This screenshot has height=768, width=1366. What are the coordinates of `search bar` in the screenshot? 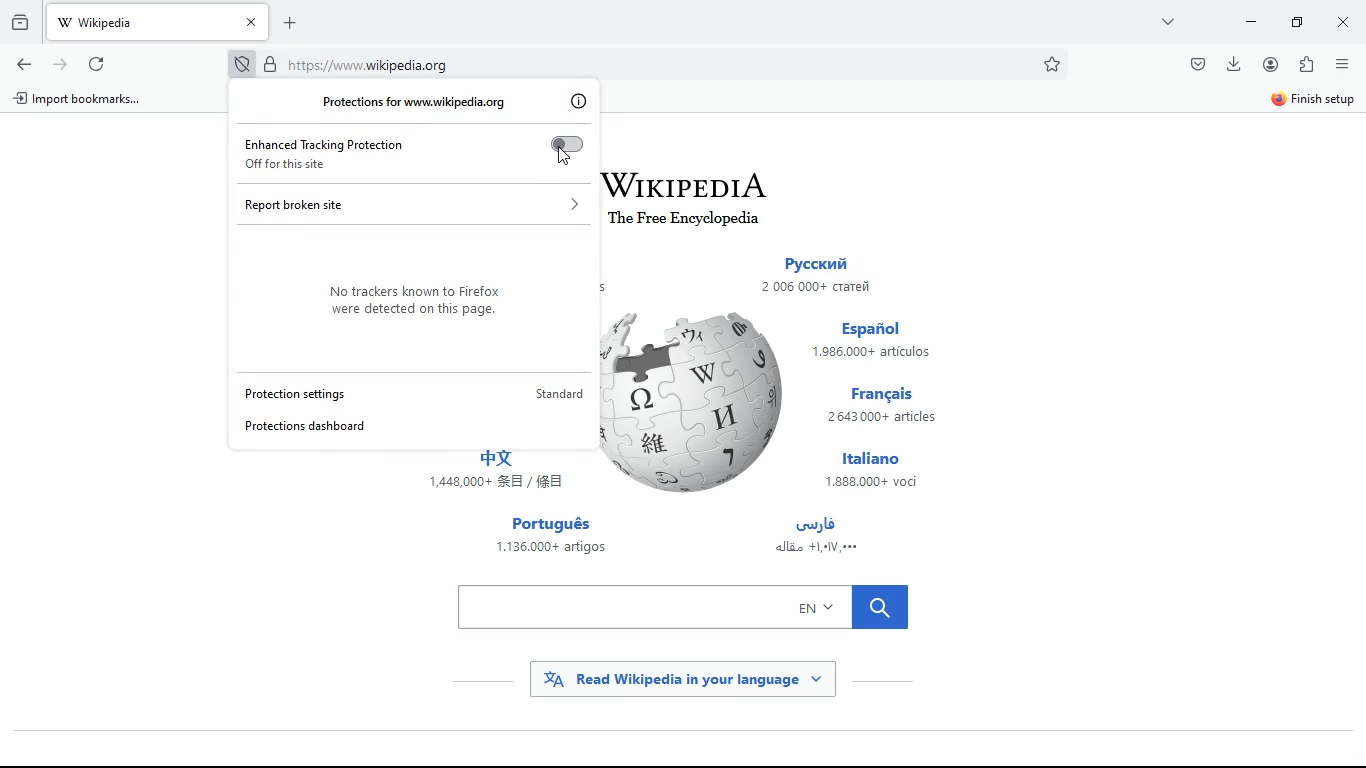 It's located at (686, 607).